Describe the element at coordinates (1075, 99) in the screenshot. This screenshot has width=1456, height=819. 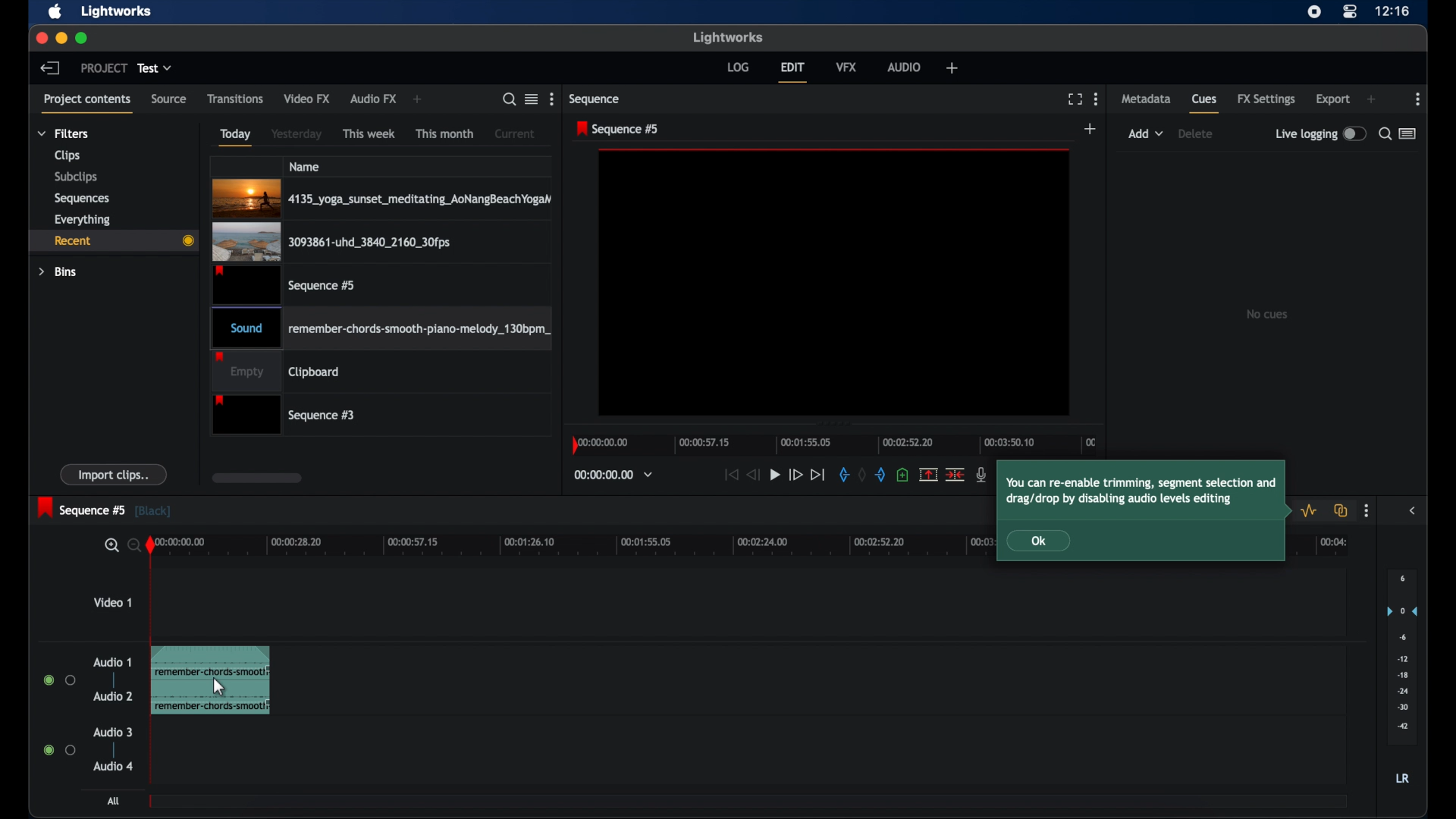
I see `full screen` at that location.